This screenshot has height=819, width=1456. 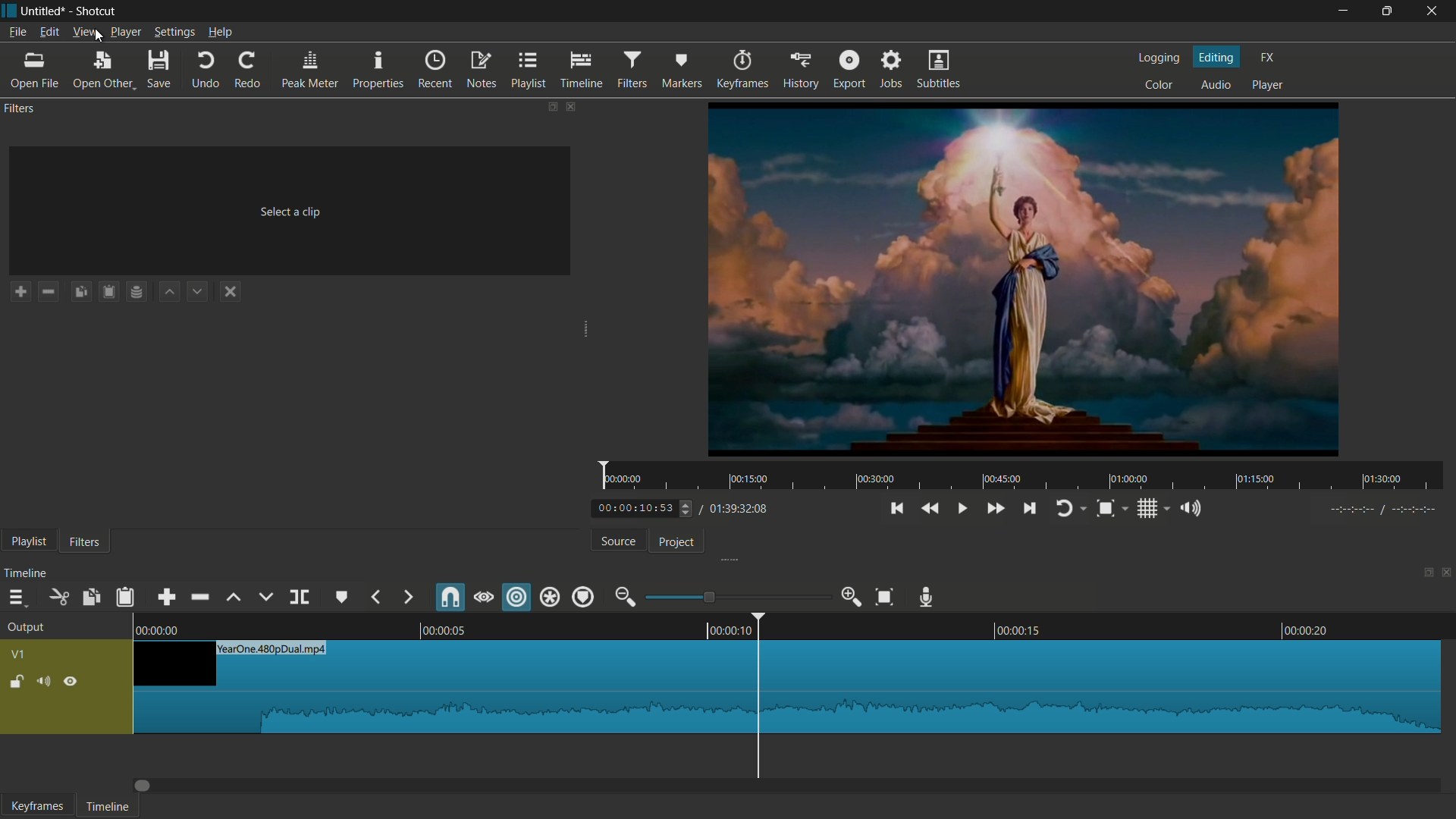 What do you see at coordinates (802, 70) in the screenshot?
I see `history` at bounding box center [802, 70].